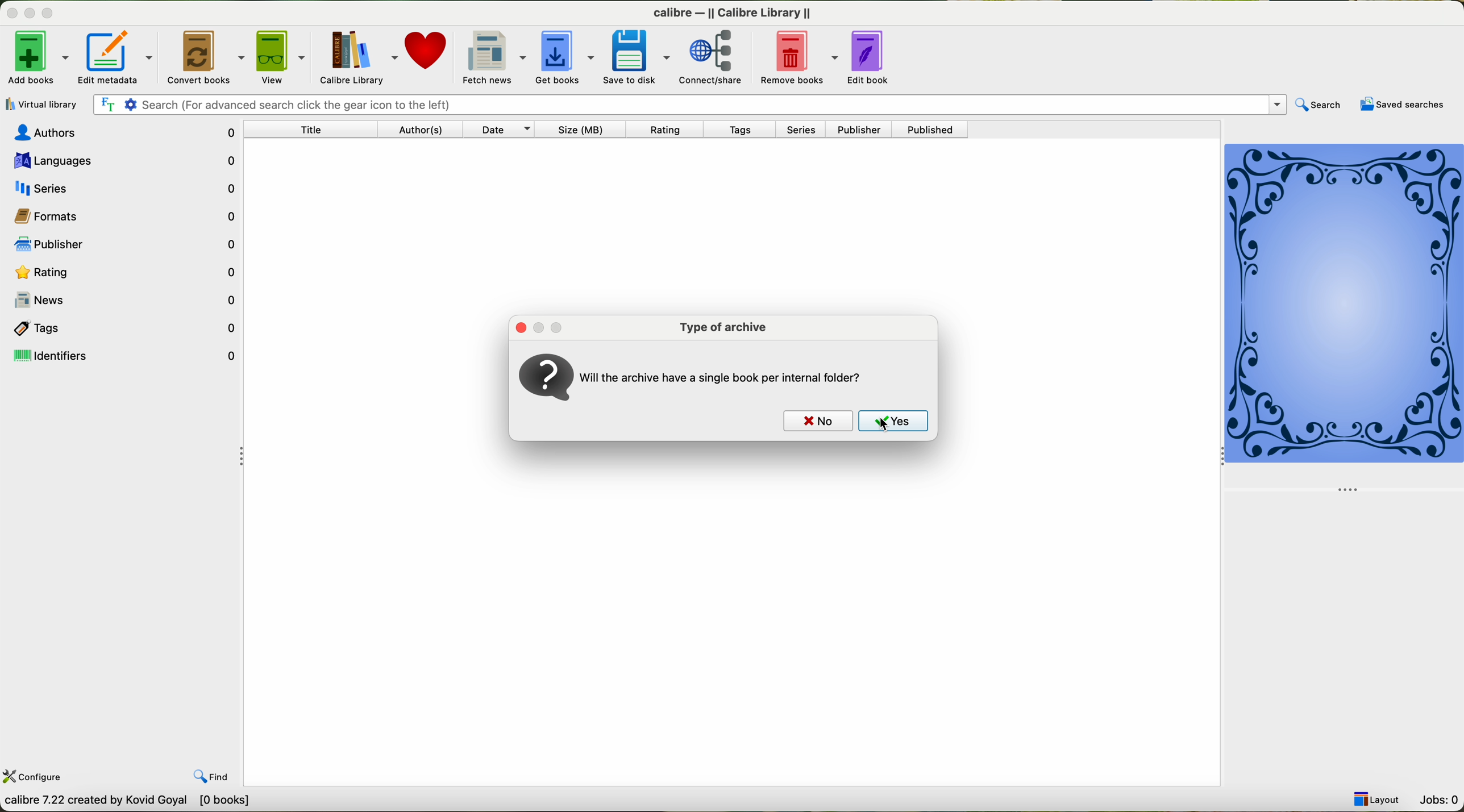 This screenshot has height=812, width=1464. Describe the element at coordinates (801, 58) in the screenshot. I see `remove books` at that location.